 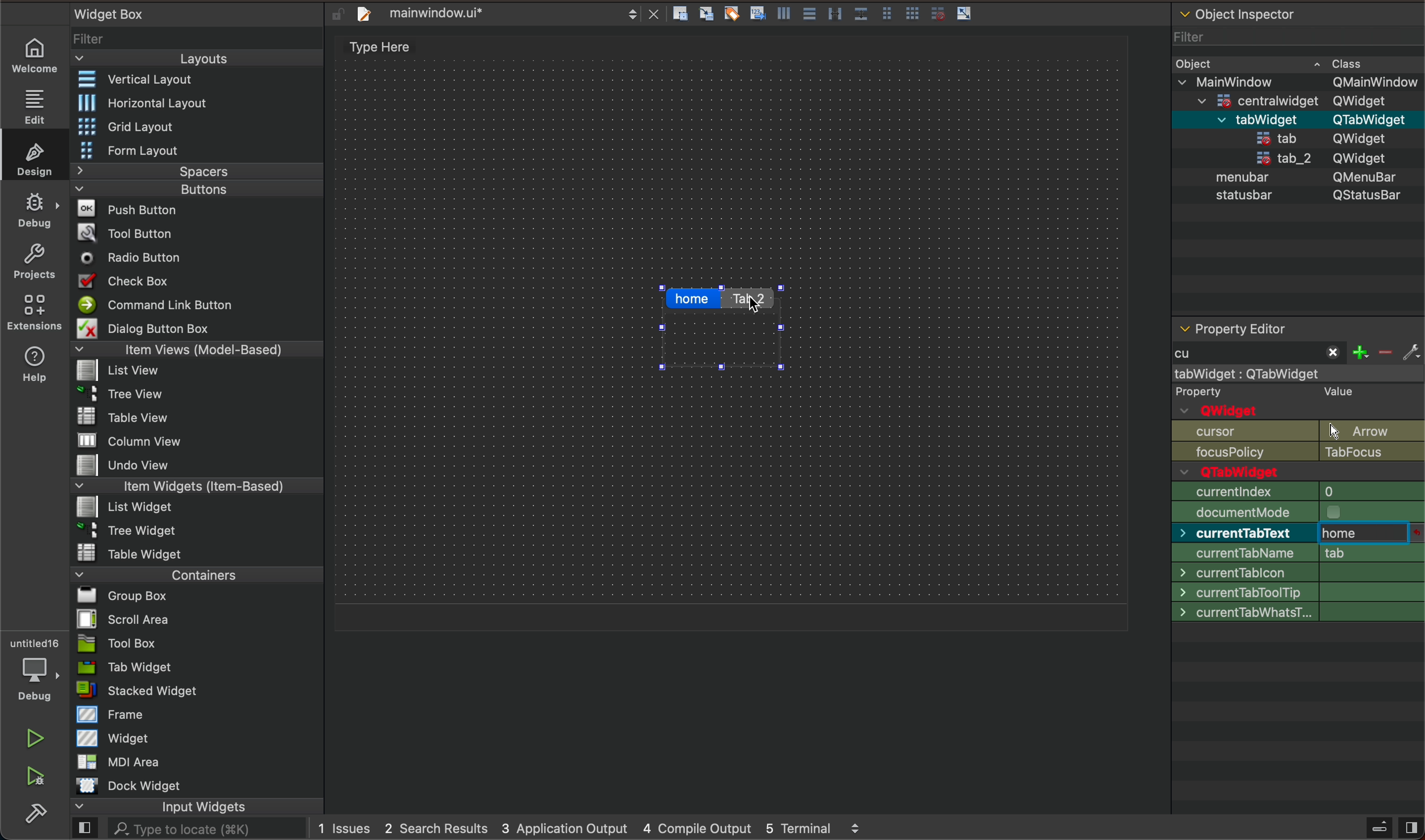 What do you see at coordinates (1295, 118) in the screenshot?
I see `menubar QMenuBar` at bounding box center [1295, 118].